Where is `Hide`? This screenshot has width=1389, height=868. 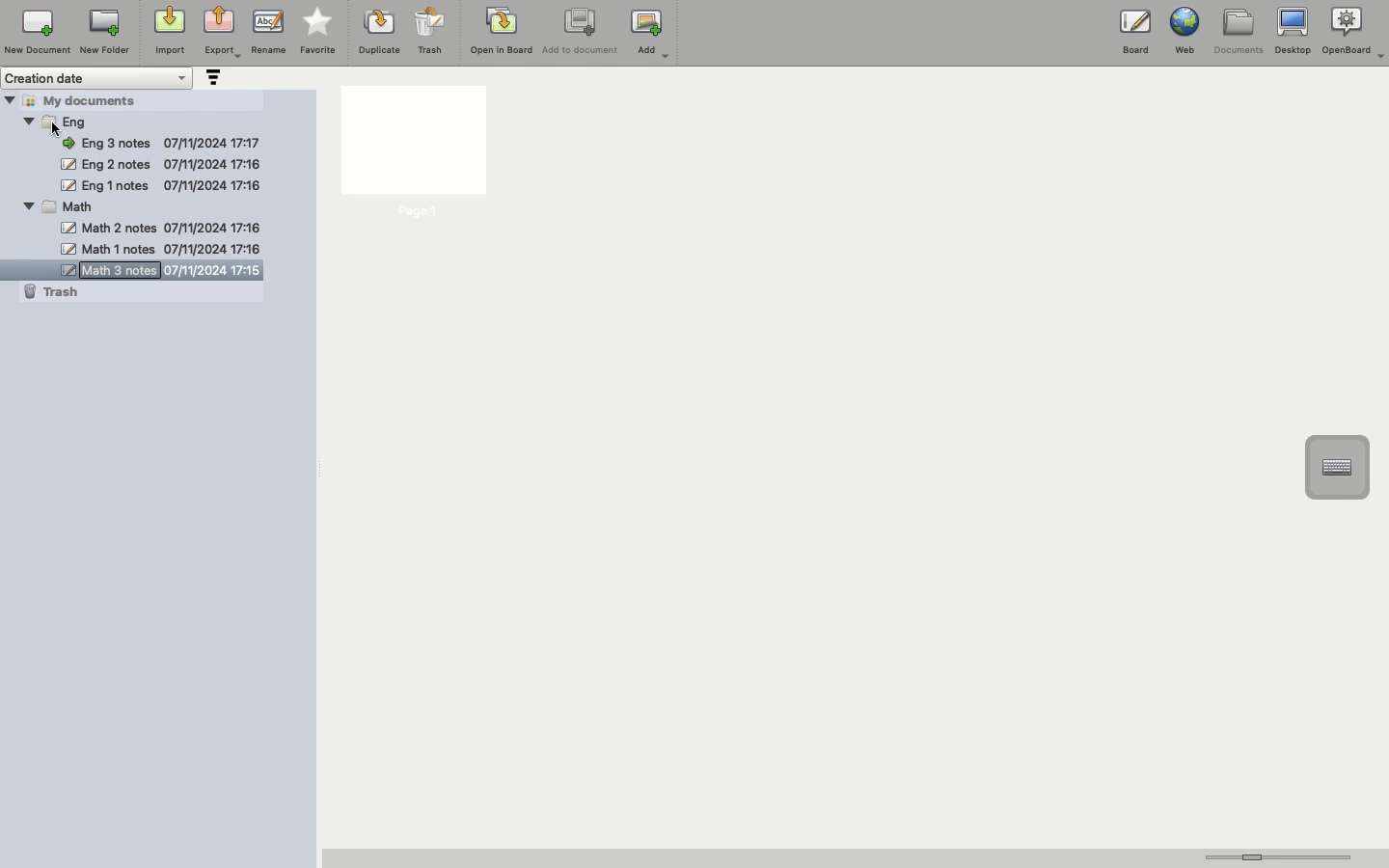
Hide is located at coordinates (68, 144).